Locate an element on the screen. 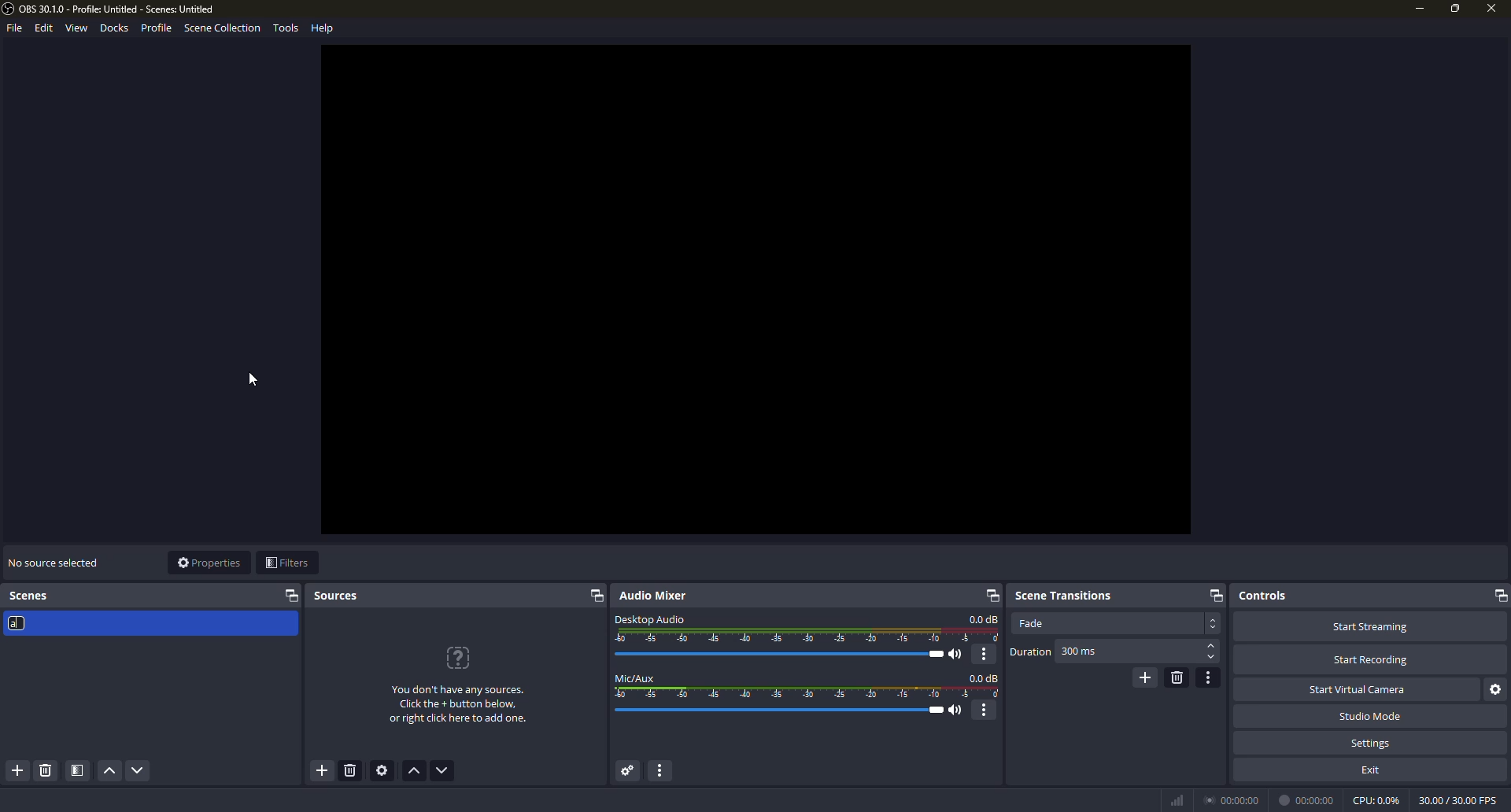 The height and width of the screenshot is (812, 1511). open source properties is located at coordinates (385, 771).